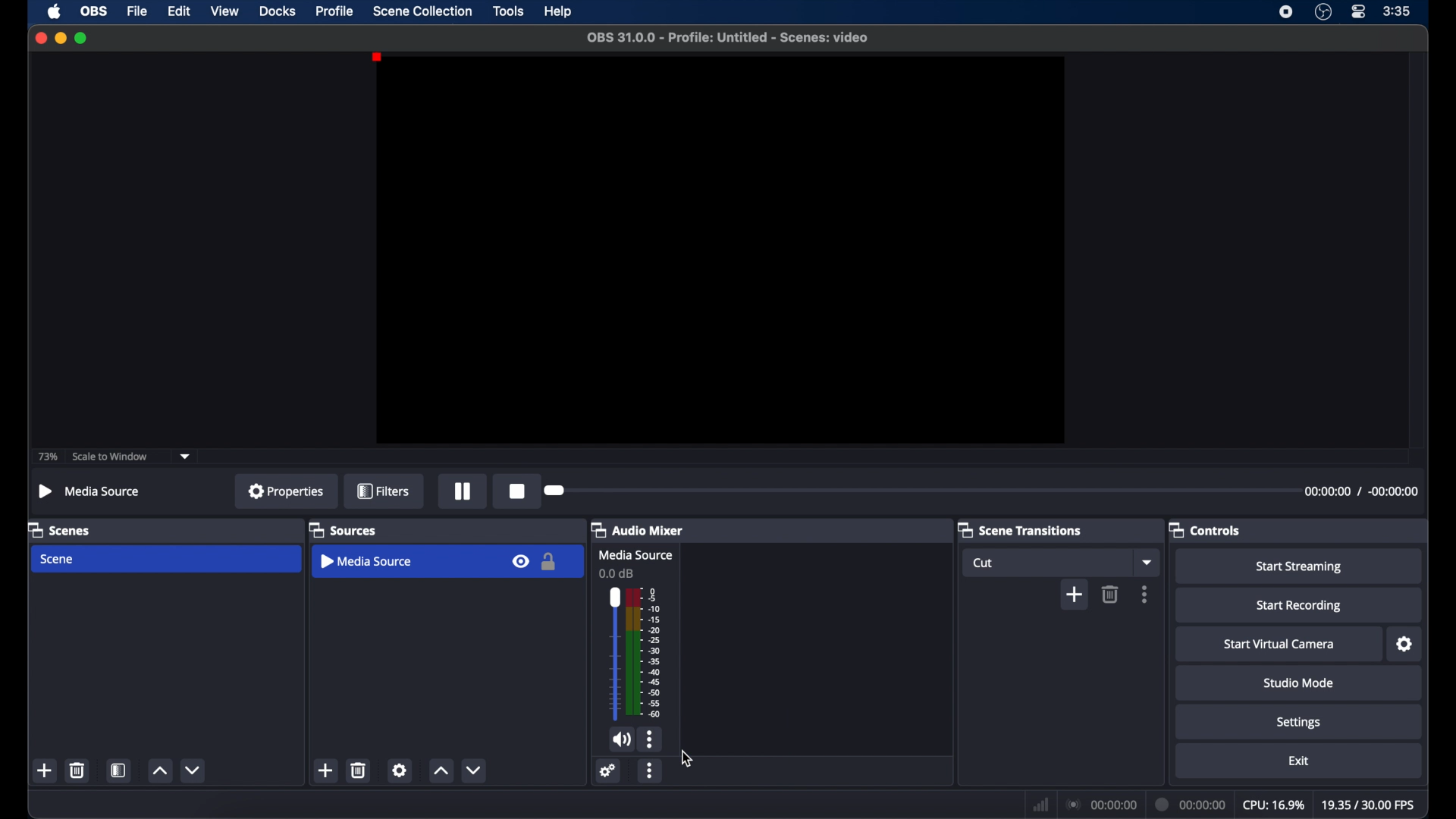 The height and width of the screenshot is (819, 1456). Describe the element at coordinates (138, 11) in the screenshot. I see `file` at that location.